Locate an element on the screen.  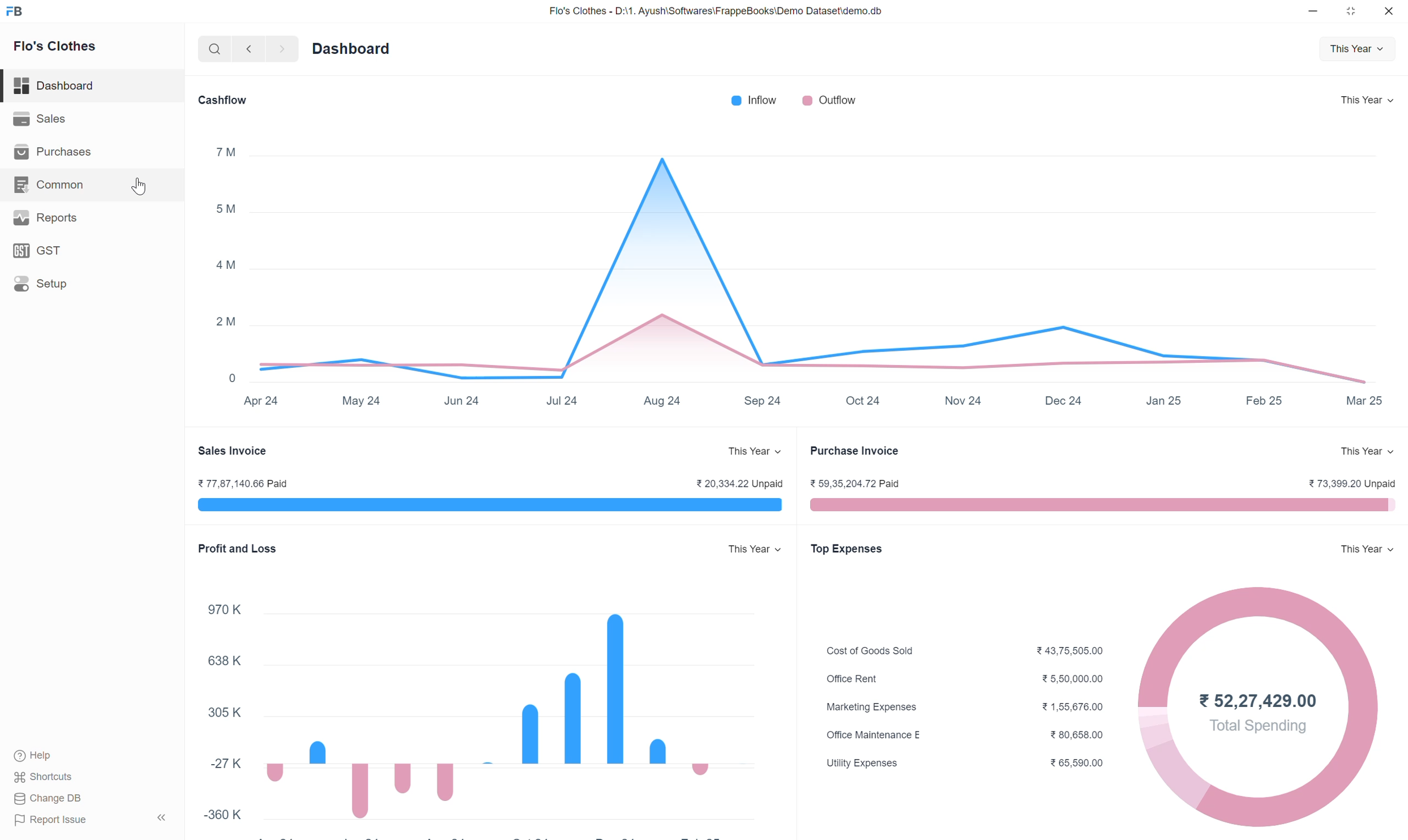
time series graph is located at coordinates (794, 275).